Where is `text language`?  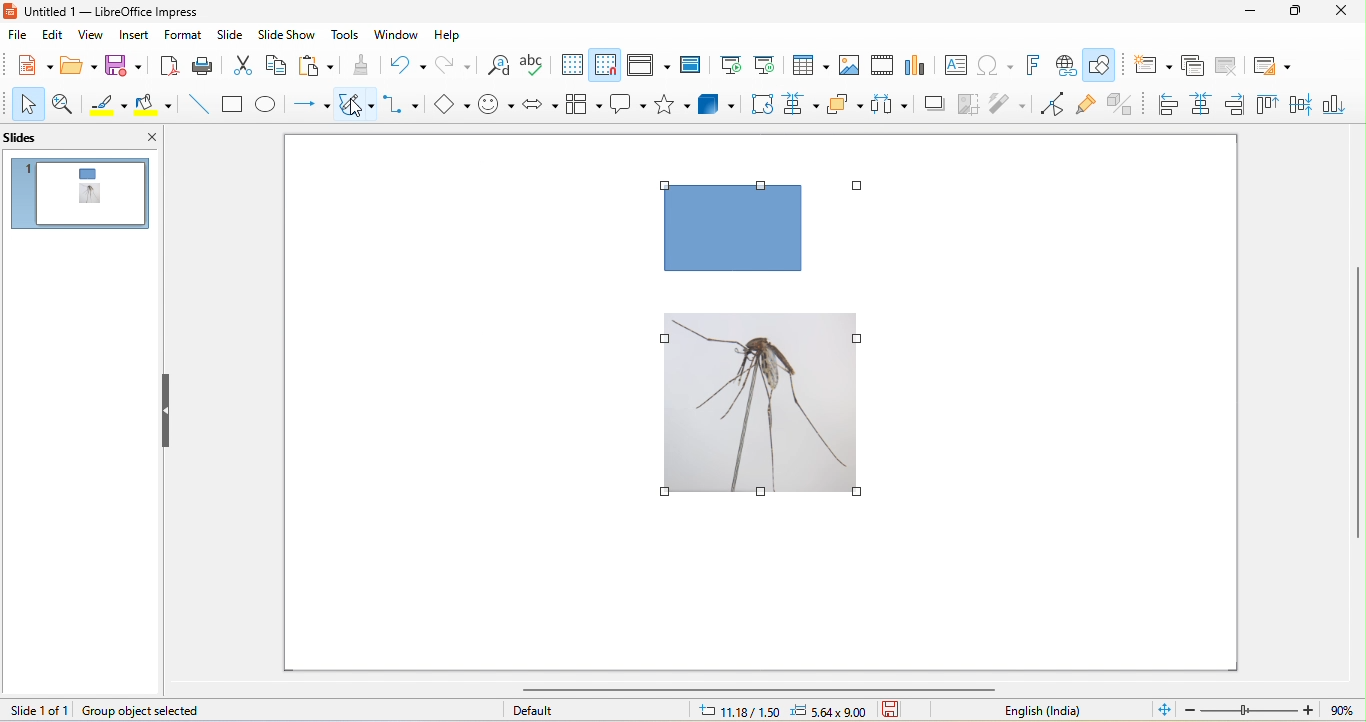 text language is located at coordinates (1045, 711).